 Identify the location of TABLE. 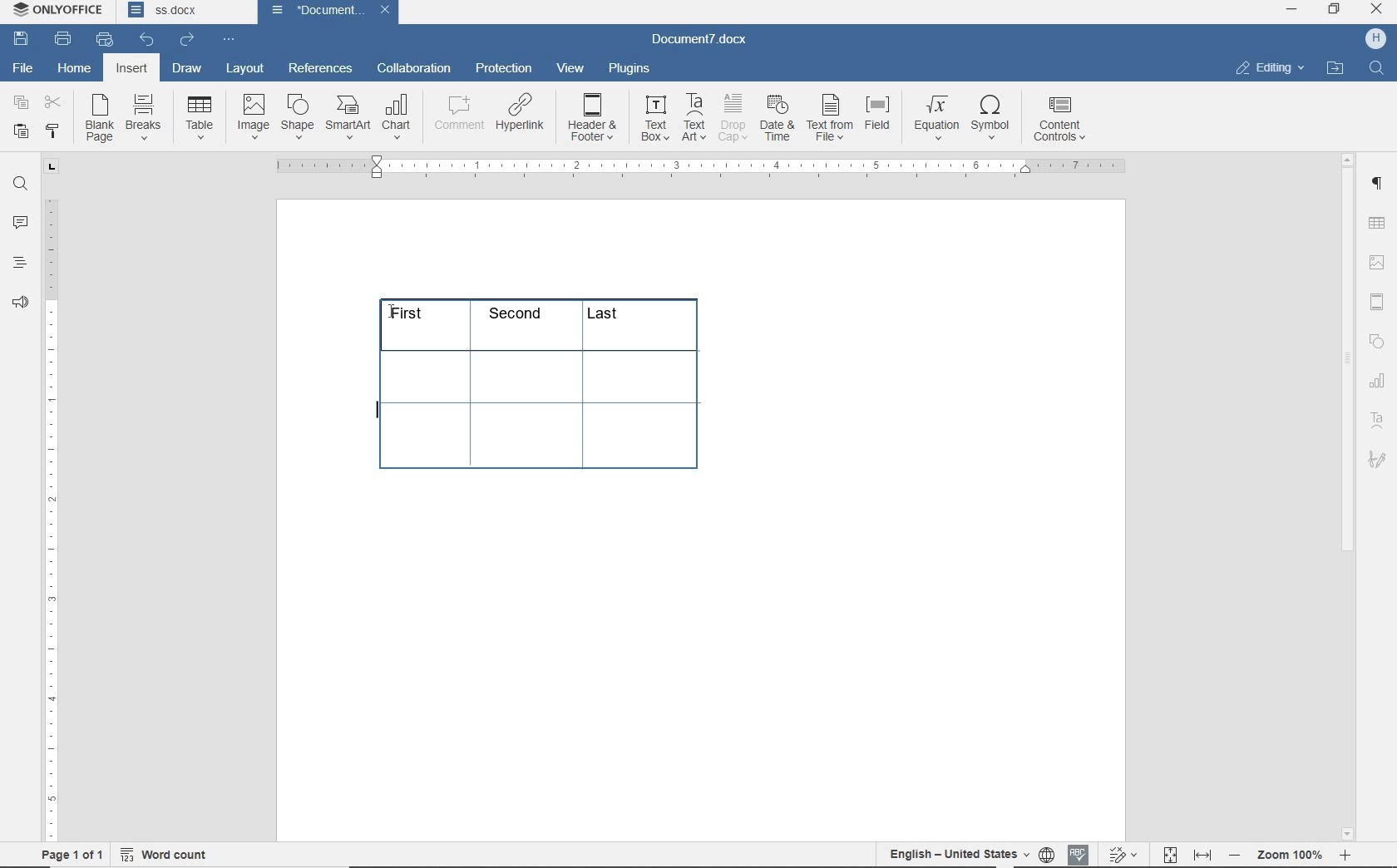
(1379, 382).